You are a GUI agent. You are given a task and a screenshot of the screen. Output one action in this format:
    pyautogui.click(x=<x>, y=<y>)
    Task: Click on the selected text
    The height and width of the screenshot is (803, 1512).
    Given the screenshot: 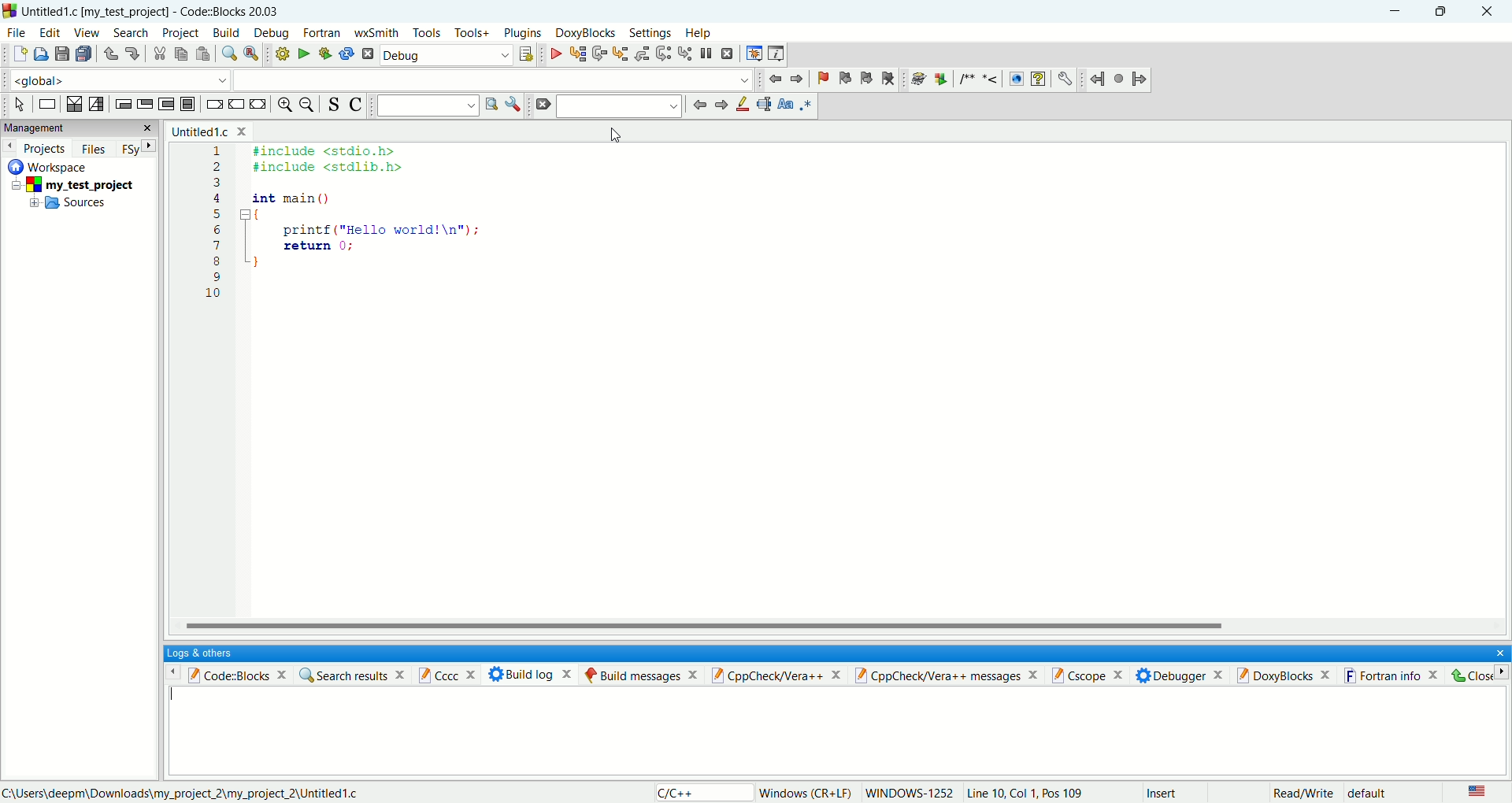 What is the action you would take?
    pyautogui.click(x=764, y=104)
    